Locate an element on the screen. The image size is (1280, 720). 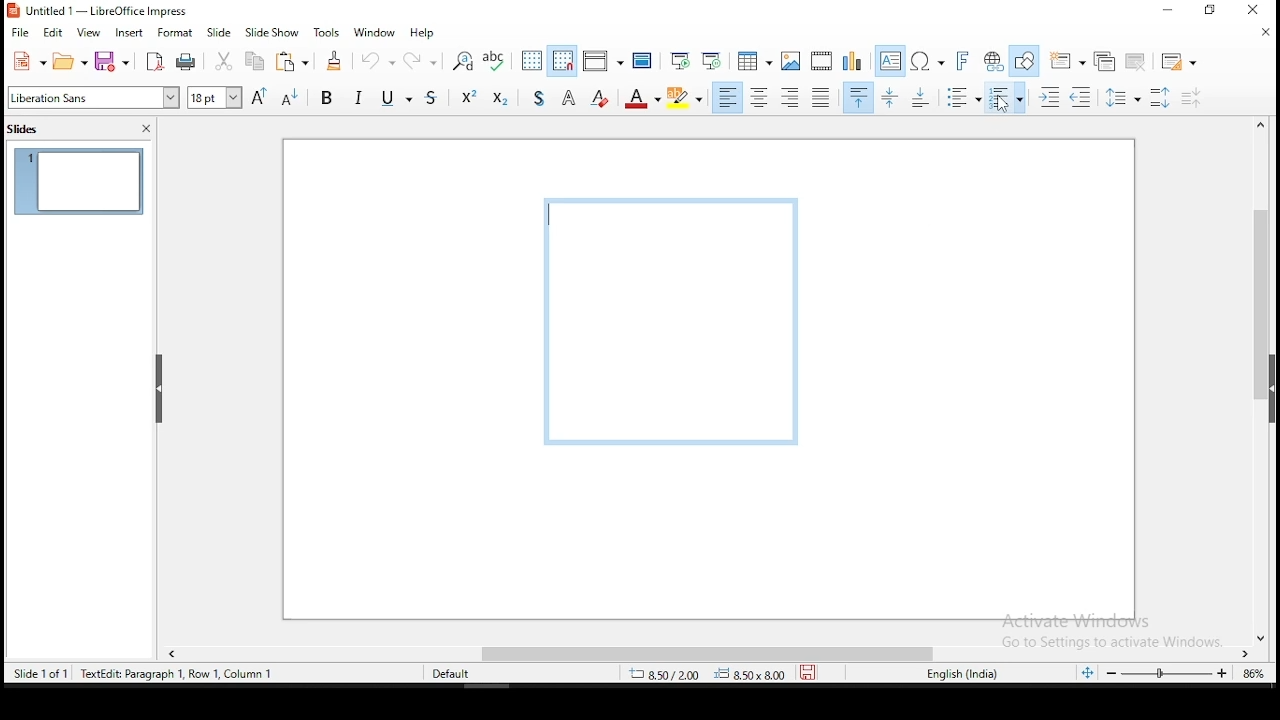
find and replace is located at coordinates (464, 61).